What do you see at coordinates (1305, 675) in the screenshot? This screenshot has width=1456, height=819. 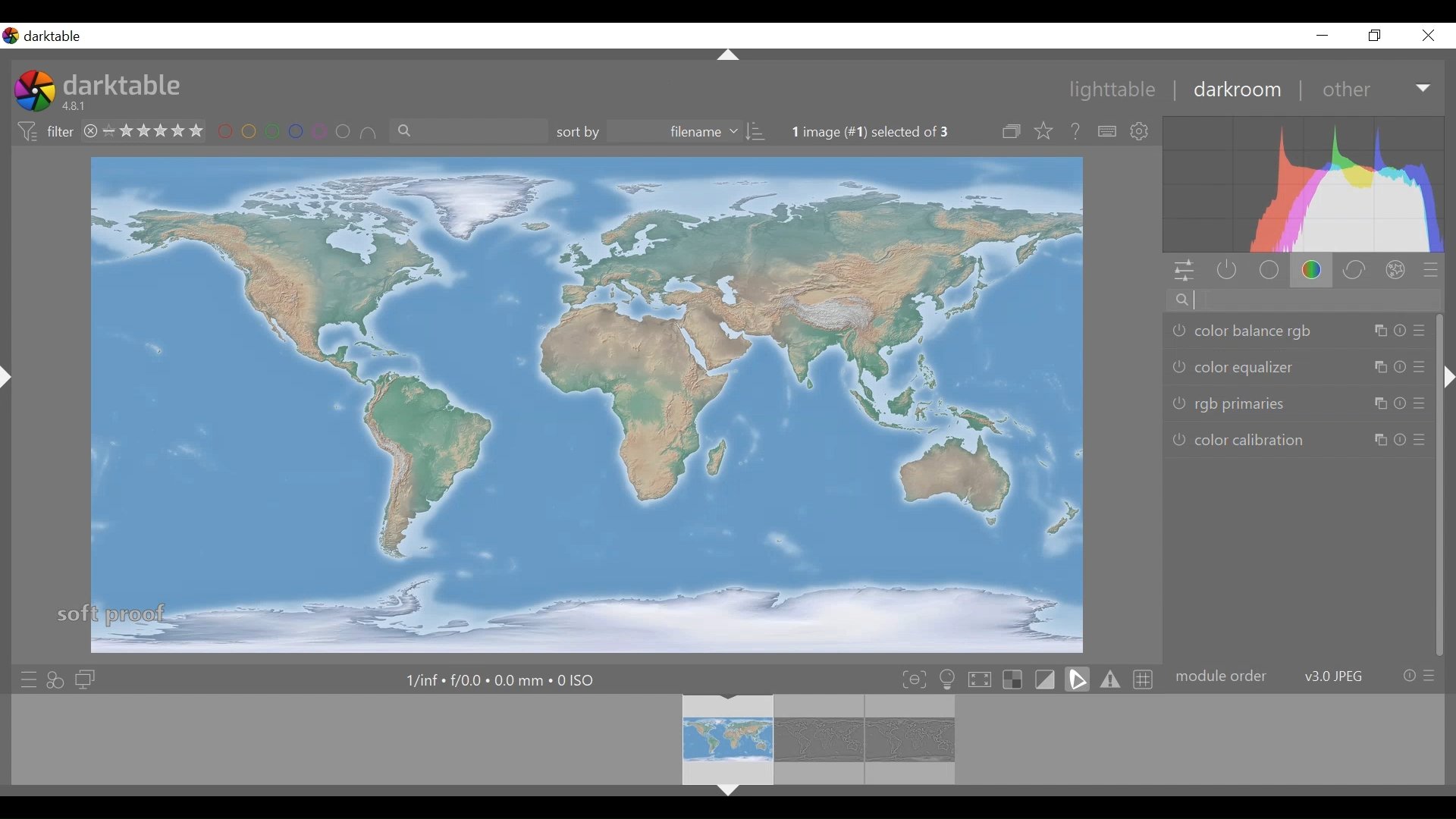 I see `module order` at bounding box center [1305, 675].